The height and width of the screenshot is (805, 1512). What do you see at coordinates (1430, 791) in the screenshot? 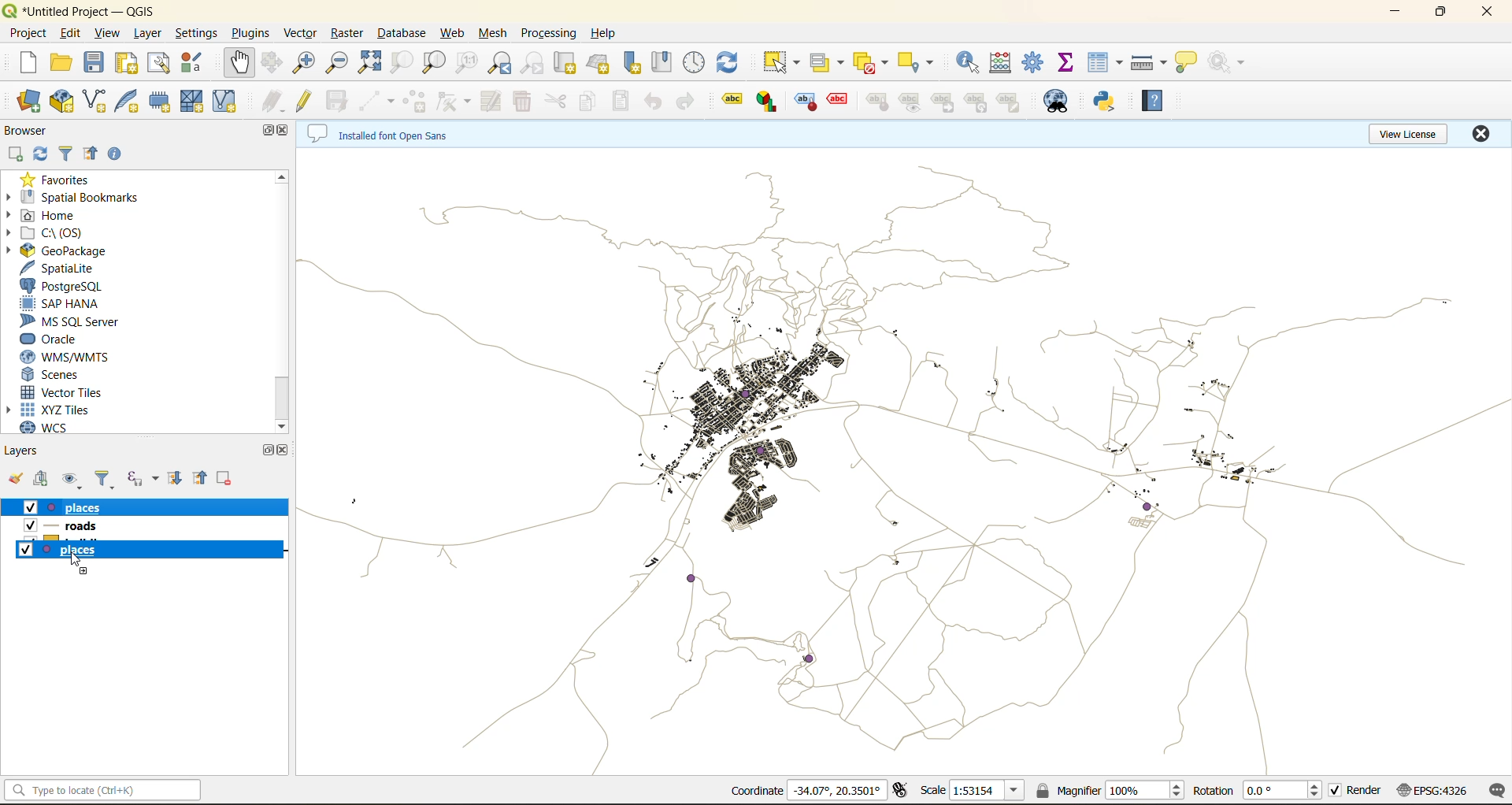
I see `crs` at bounding box center [1430, 791].